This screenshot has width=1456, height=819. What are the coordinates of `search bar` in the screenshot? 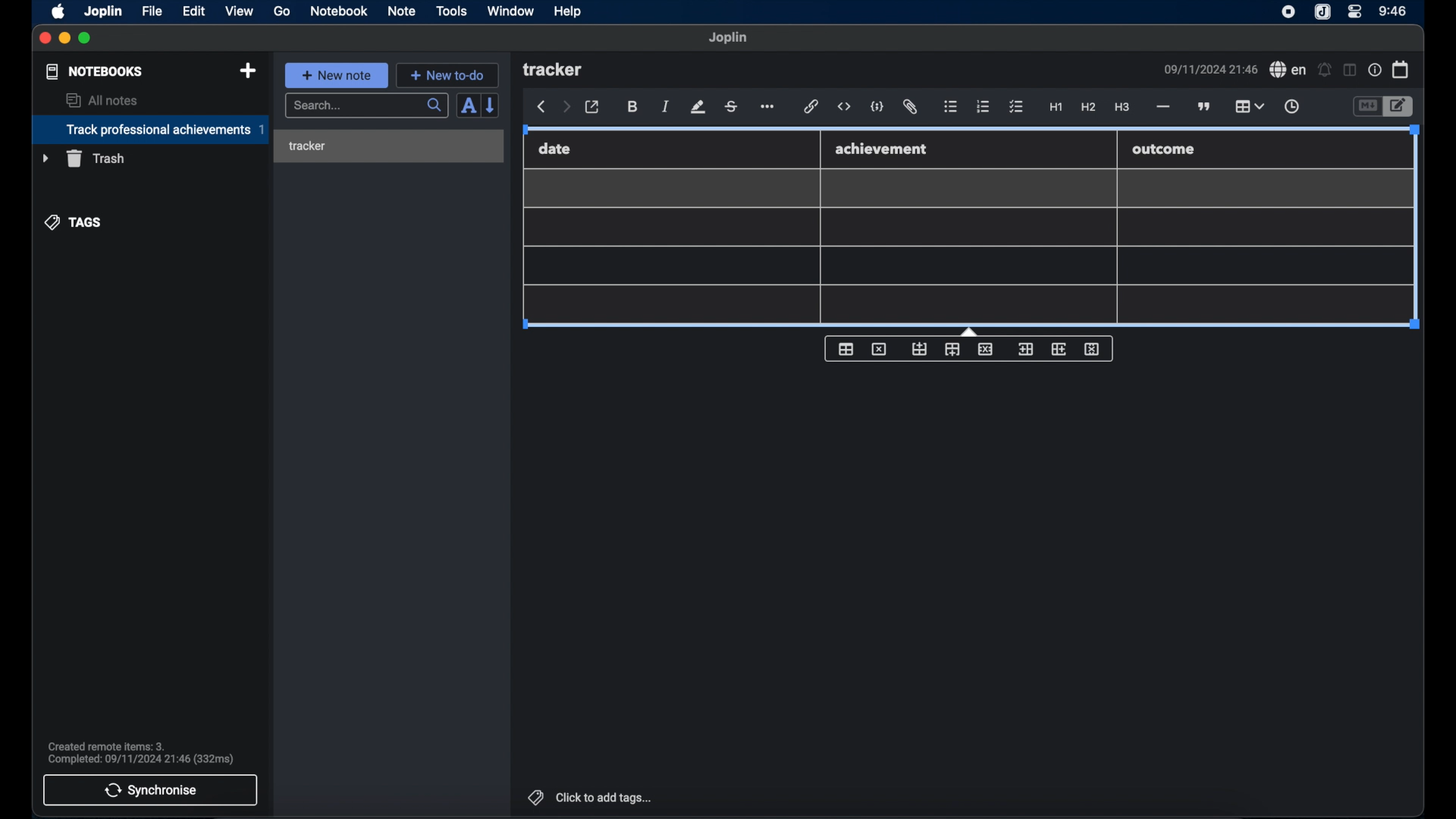 It's located at (366, 106).